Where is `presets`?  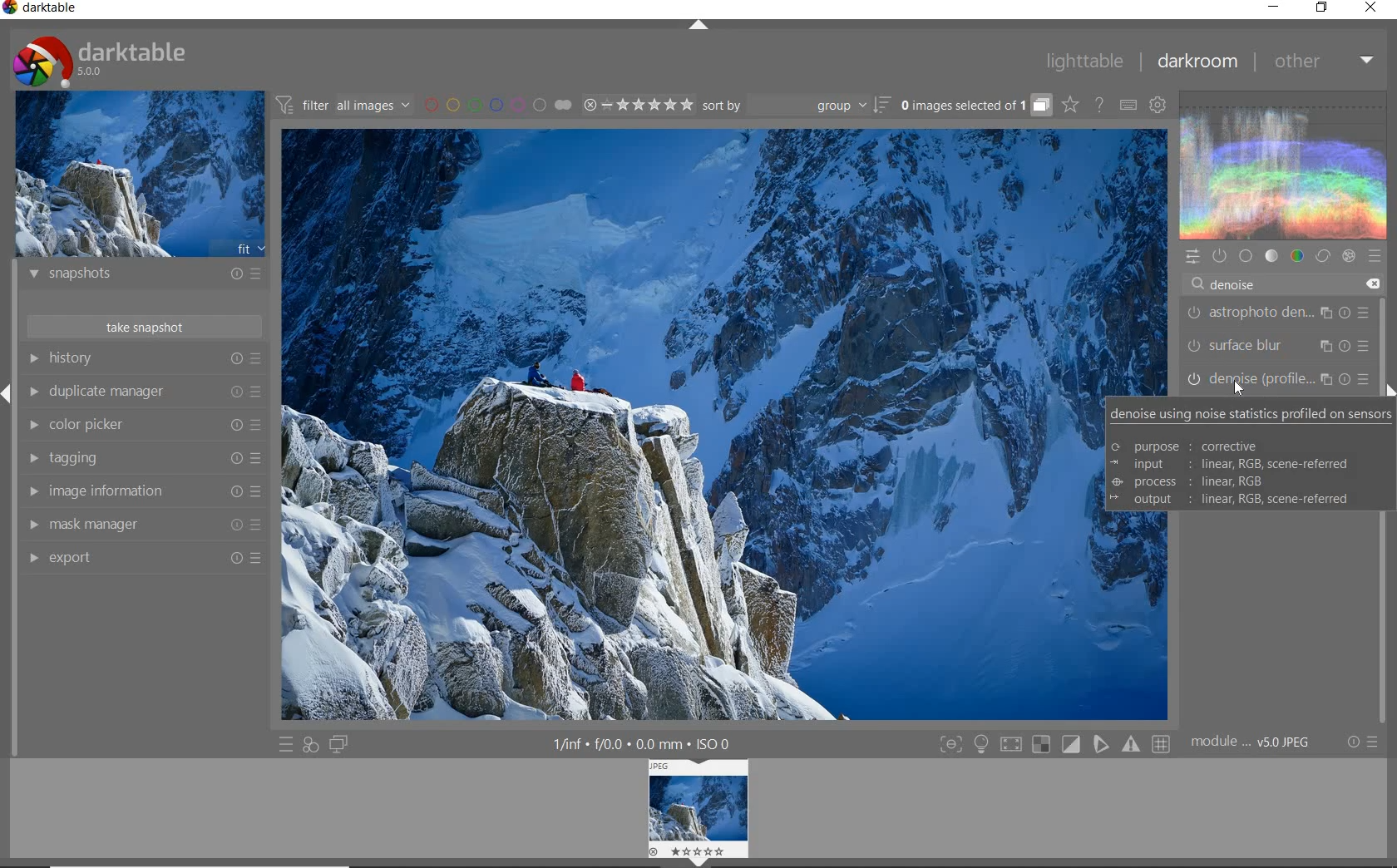 presets is located at coordinates (1375, 253).